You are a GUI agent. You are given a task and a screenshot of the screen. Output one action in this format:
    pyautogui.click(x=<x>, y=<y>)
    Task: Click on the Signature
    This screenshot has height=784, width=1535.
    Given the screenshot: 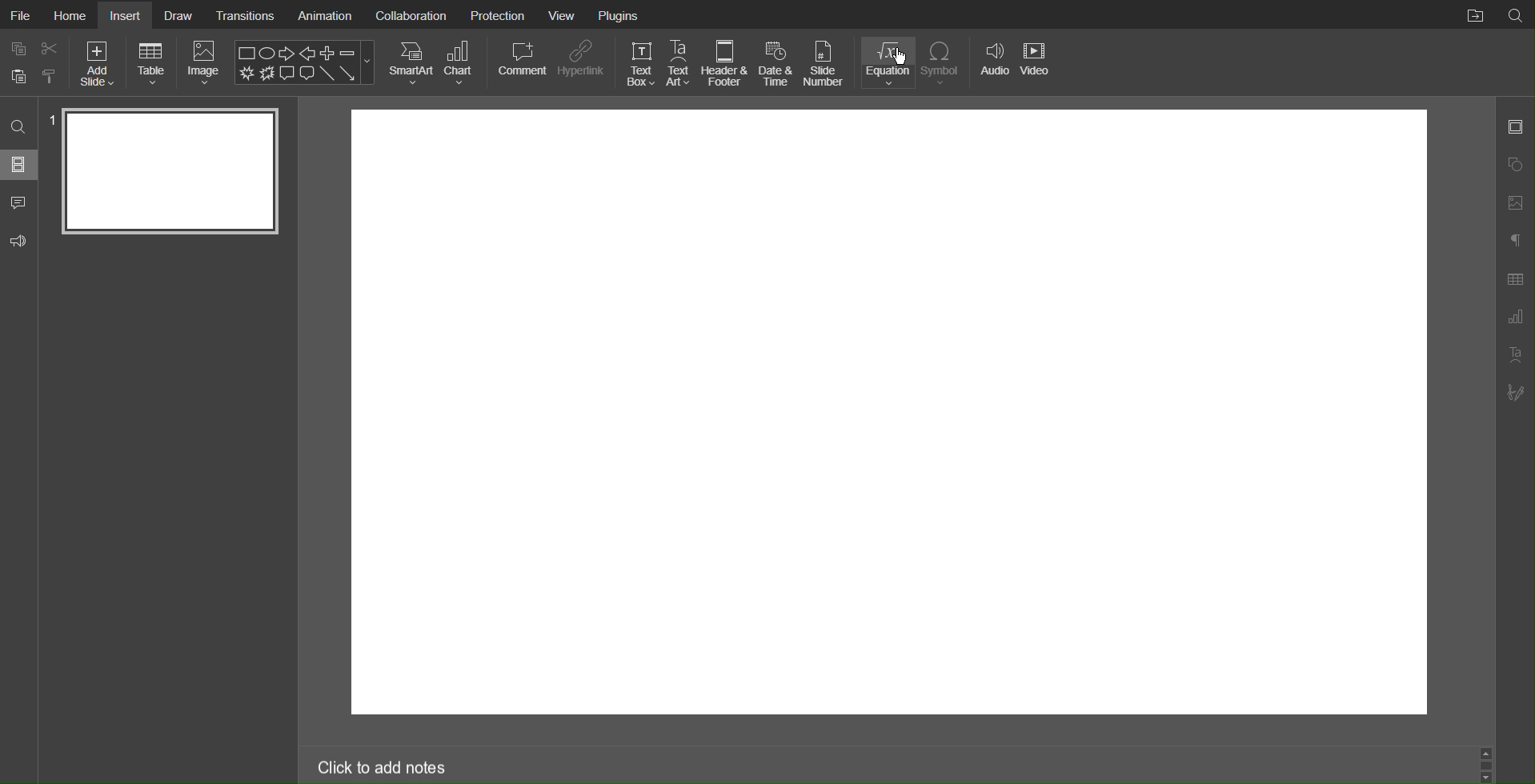 What is the action you would take?
    pyautogui.click(x=1516, y=393)
    